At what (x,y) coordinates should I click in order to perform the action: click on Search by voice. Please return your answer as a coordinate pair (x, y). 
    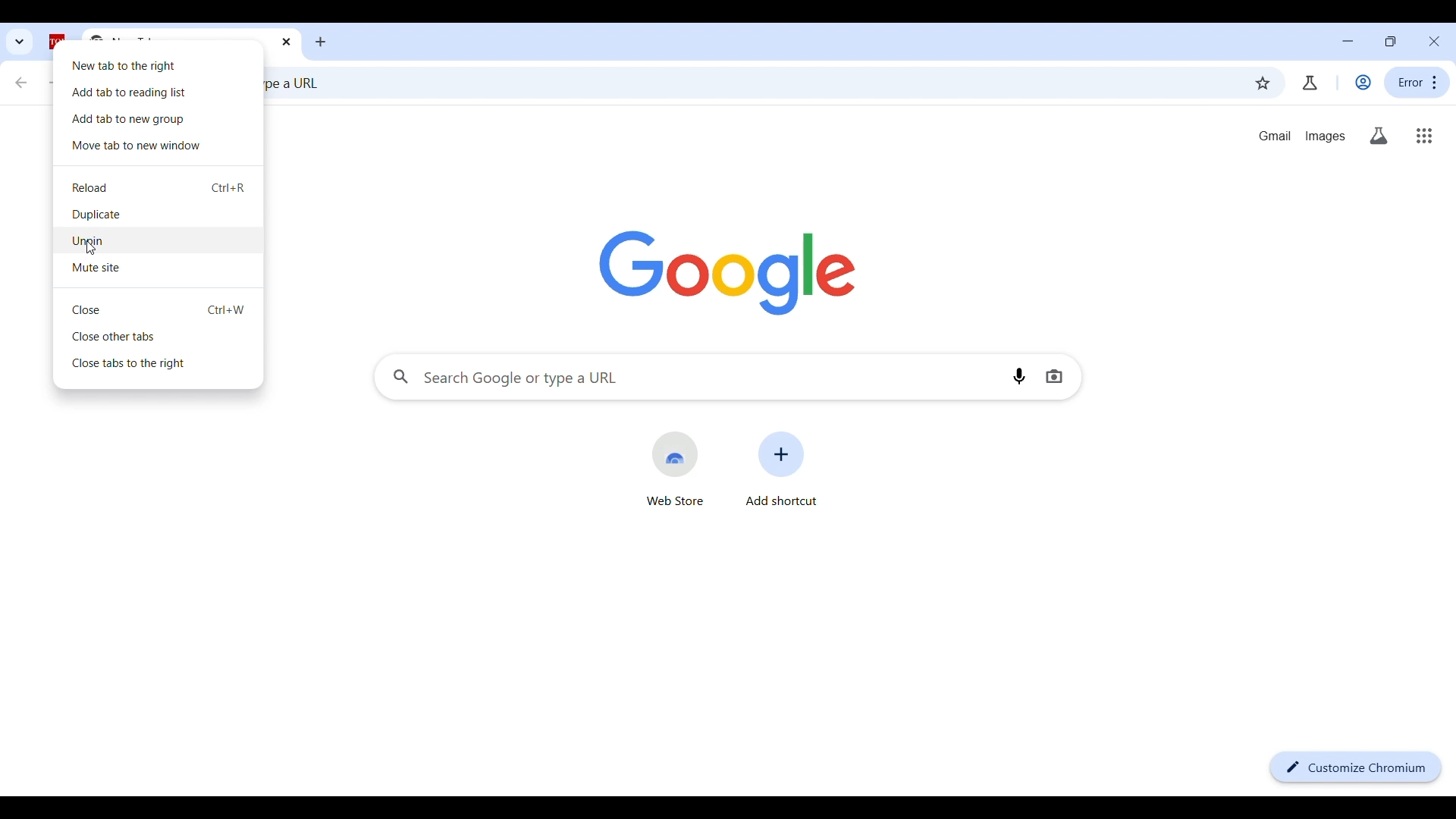
    Looking at the image, I should click on (1019, 376).